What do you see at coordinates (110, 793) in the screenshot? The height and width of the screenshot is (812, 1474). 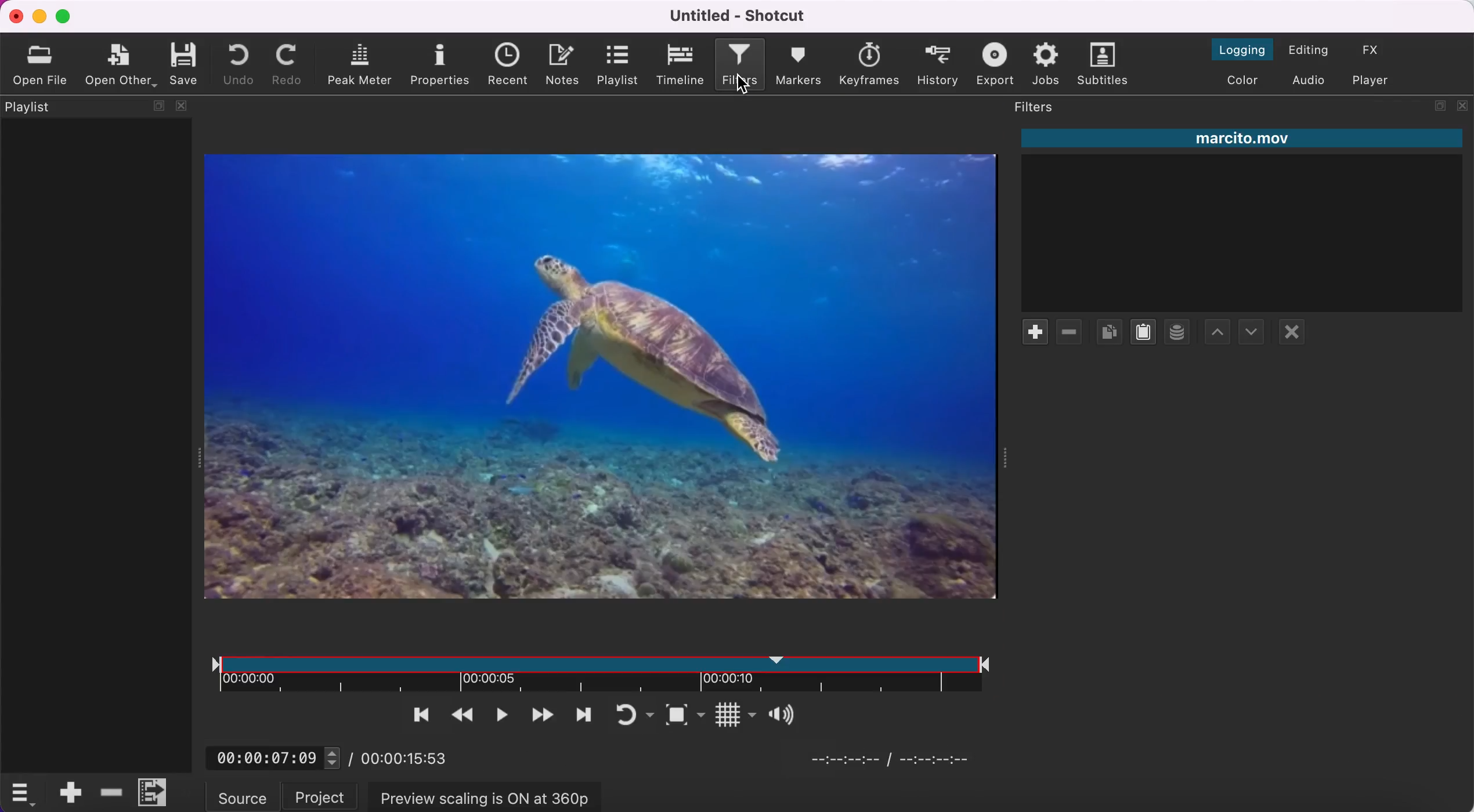 I see `delete ripple` at bounding box center [110, 793].